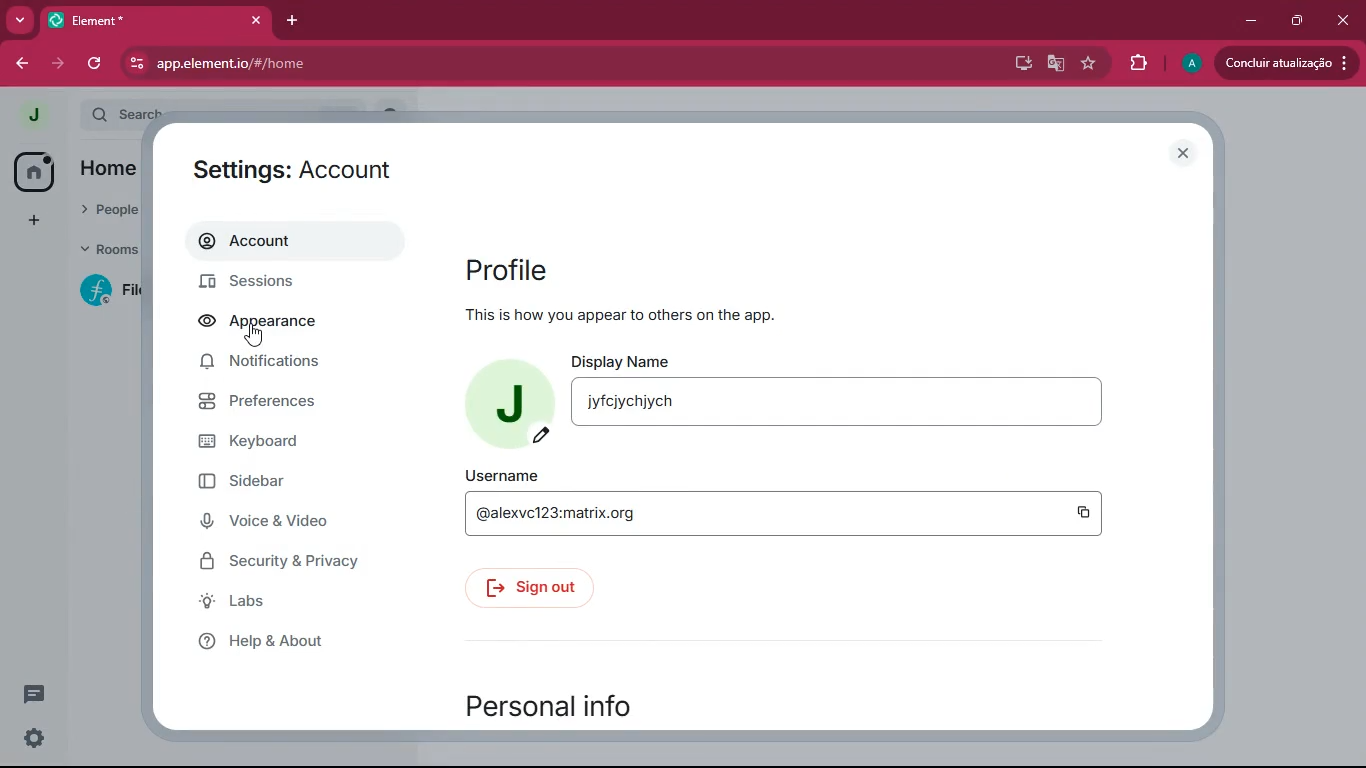 The width and height of the screenshot is (1366, 768). Describe the element at coordinates (1283, 65) in the screenshot. I see `Concur atuaizagio ` at that location.